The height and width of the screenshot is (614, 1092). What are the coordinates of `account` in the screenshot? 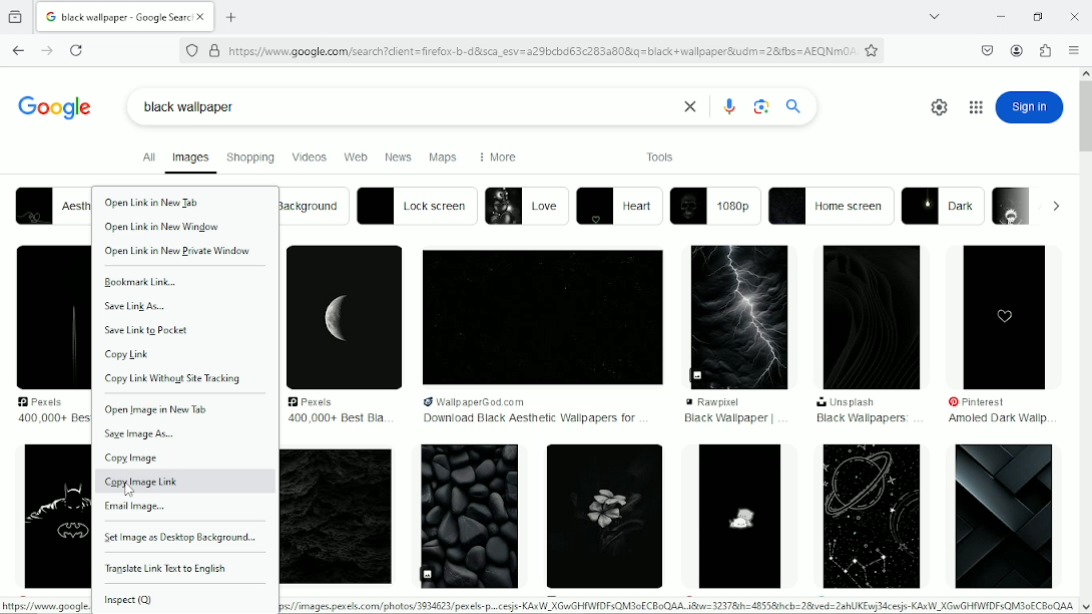 It's located at (1016, 50).